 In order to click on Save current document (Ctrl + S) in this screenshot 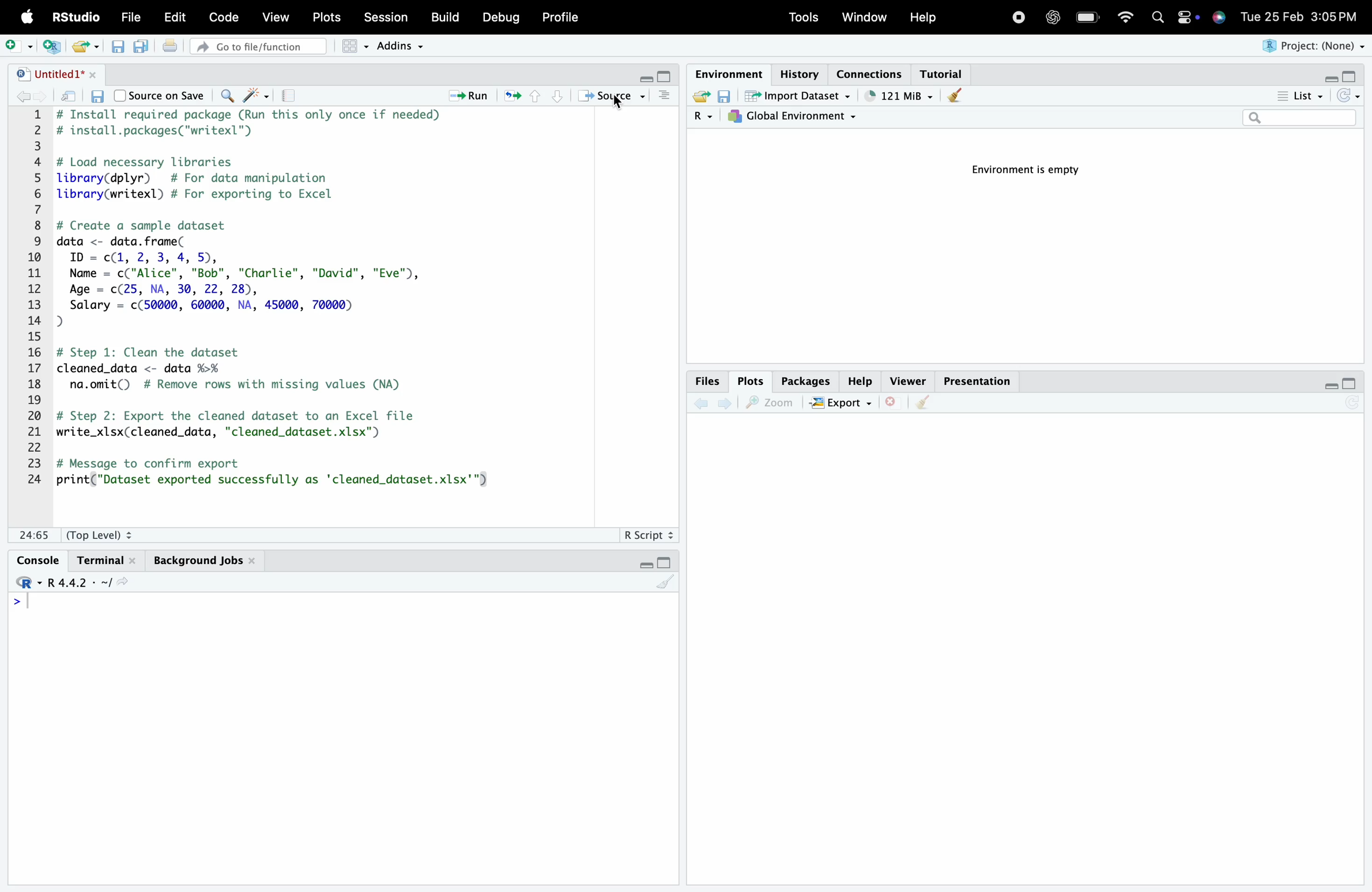, I will do `click(96, 96)`.